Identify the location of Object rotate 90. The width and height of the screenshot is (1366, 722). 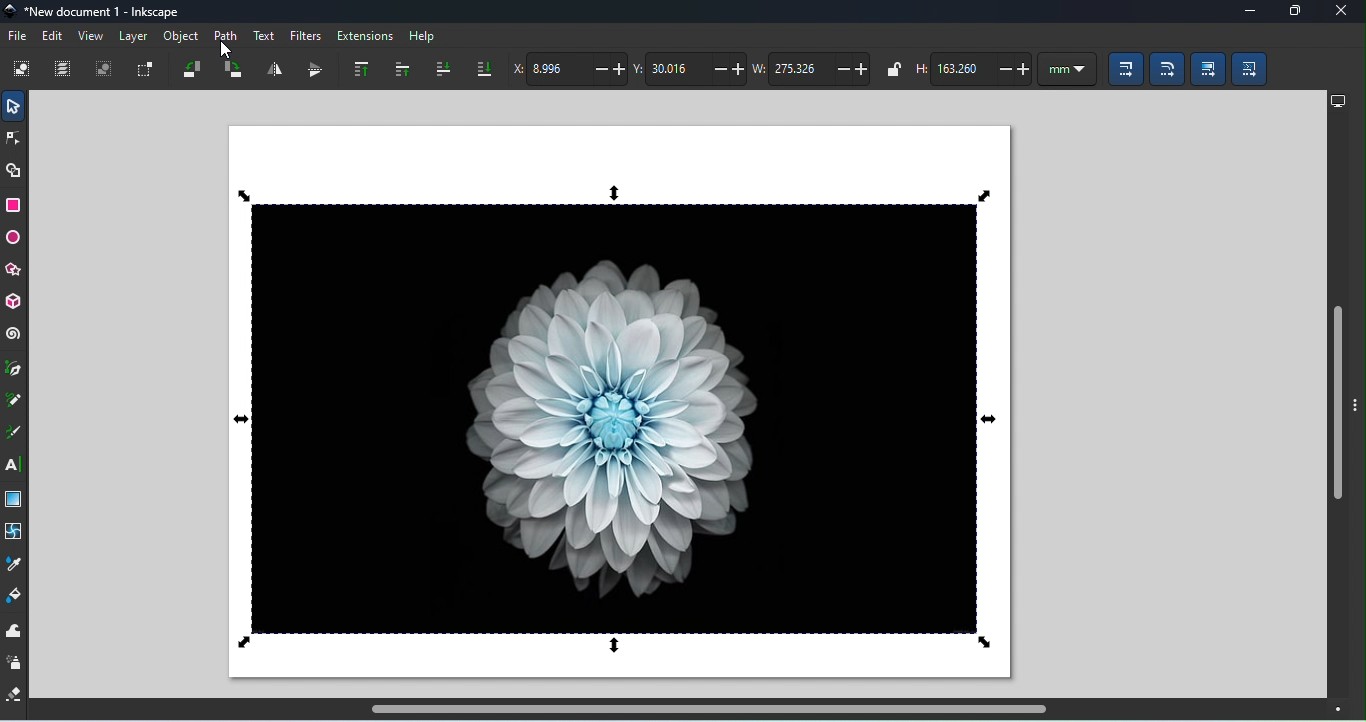
(233, 70).